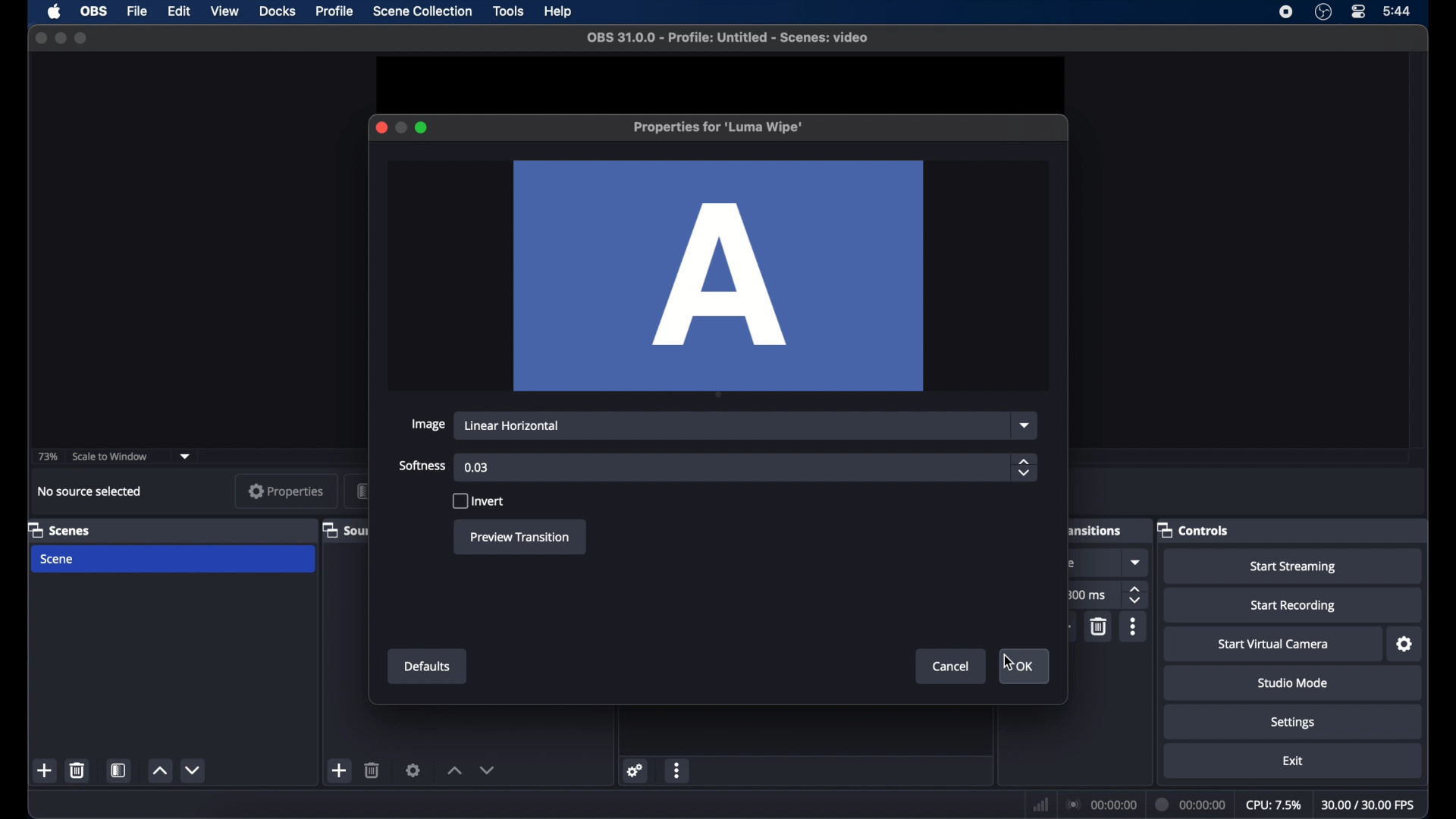  What do you see at coordinates (1323, 12) in the screenshot?
I see `obs studio` at bounding box center [1323, 12].